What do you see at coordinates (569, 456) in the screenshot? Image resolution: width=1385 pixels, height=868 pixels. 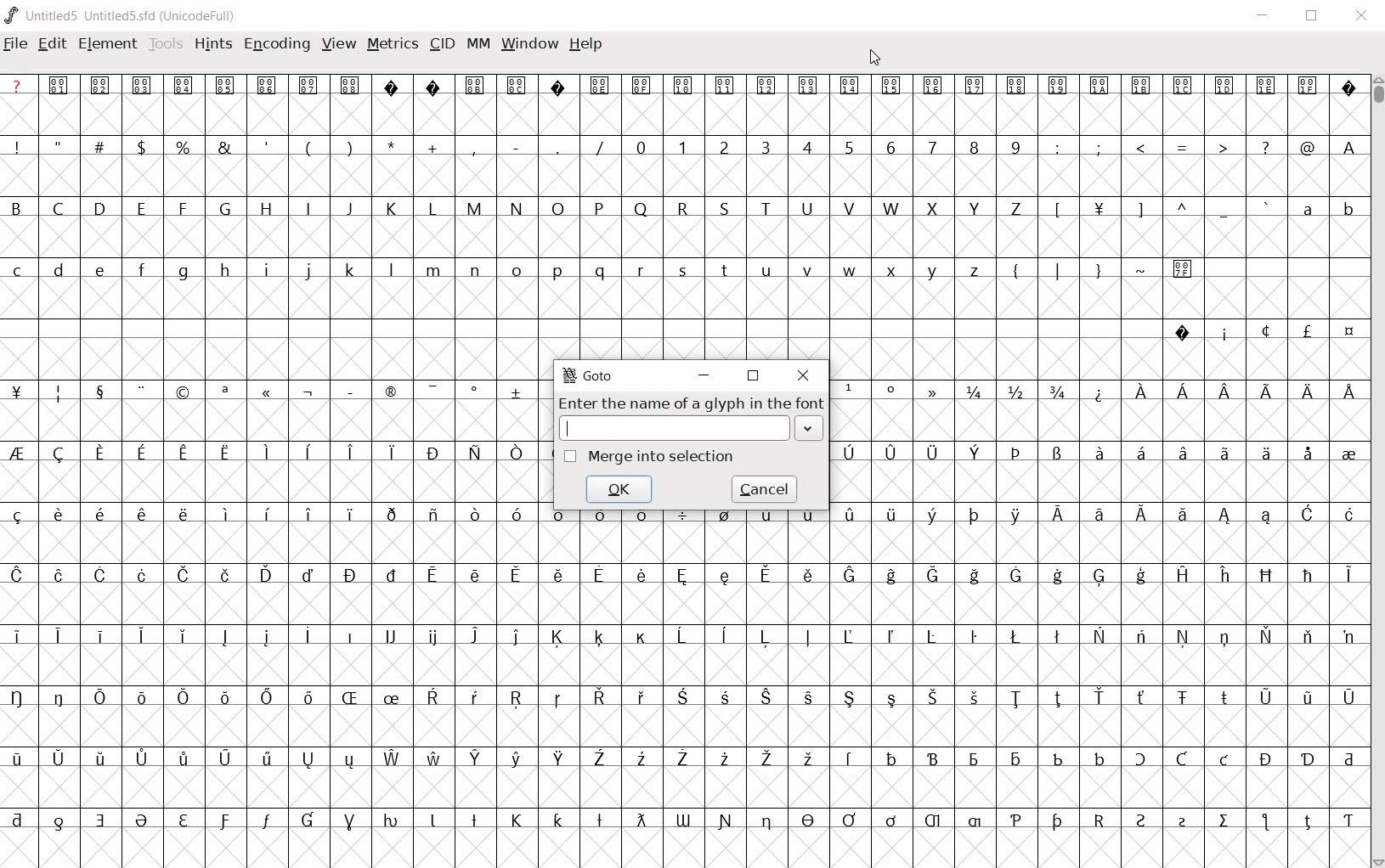 I see `check box` at bounding box center [569, 456].